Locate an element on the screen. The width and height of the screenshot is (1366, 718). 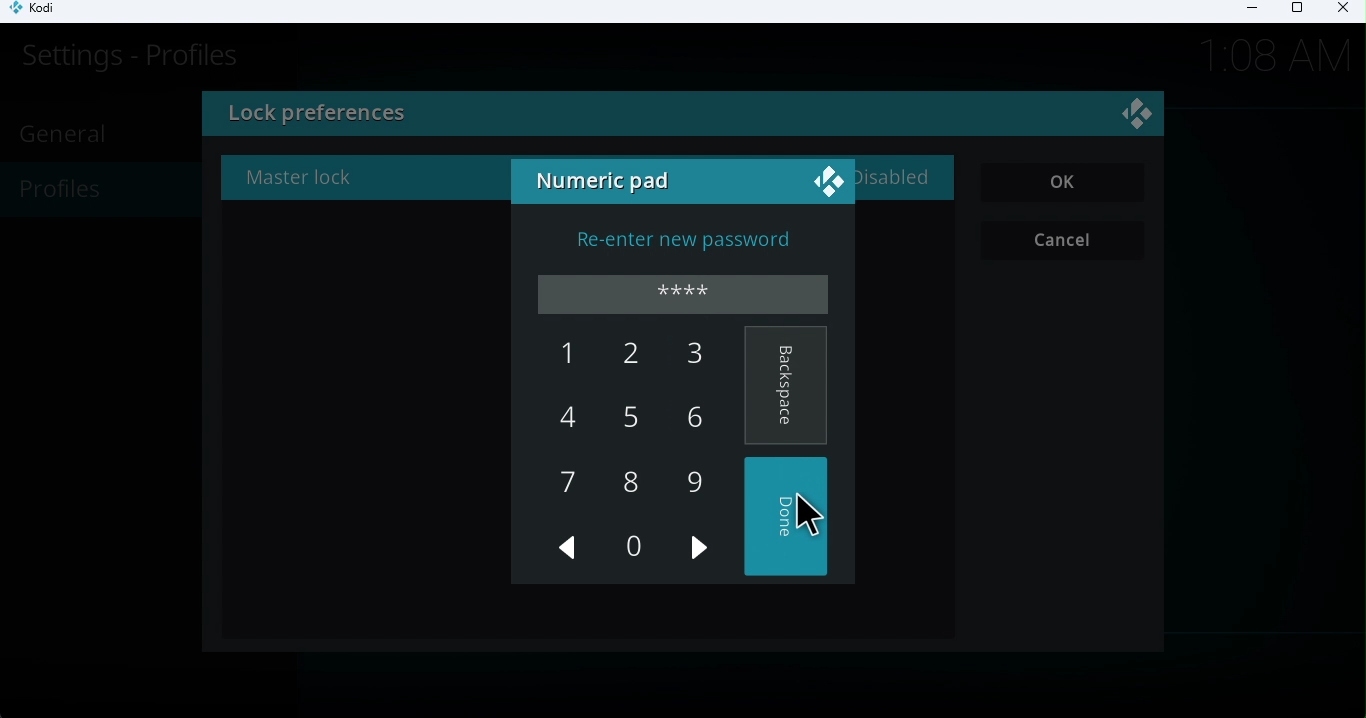
Maximize is located at coordinates (1296, 12).